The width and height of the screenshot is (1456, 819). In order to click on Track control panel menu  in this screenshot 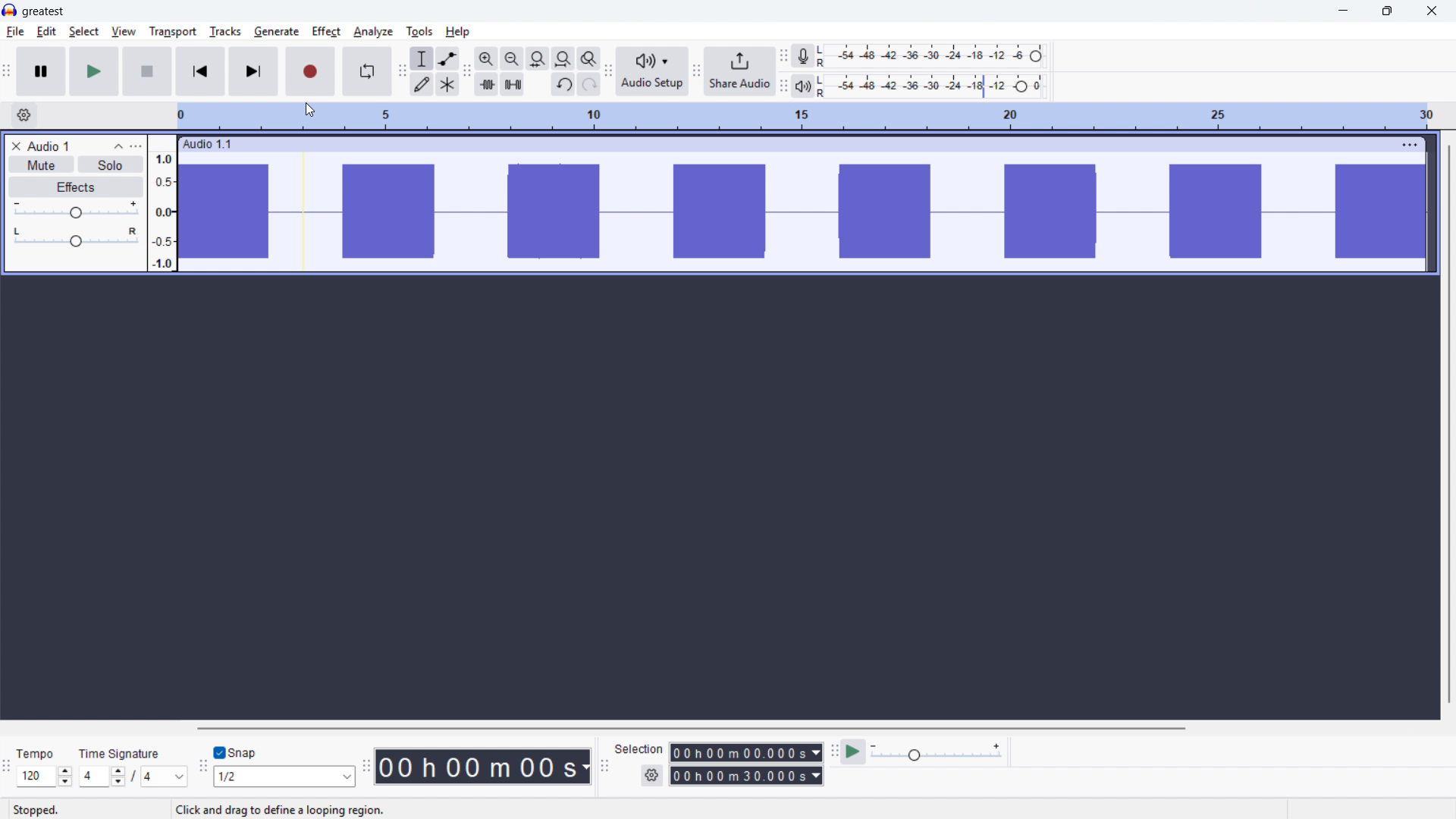, I will do `click(136, 146)`.